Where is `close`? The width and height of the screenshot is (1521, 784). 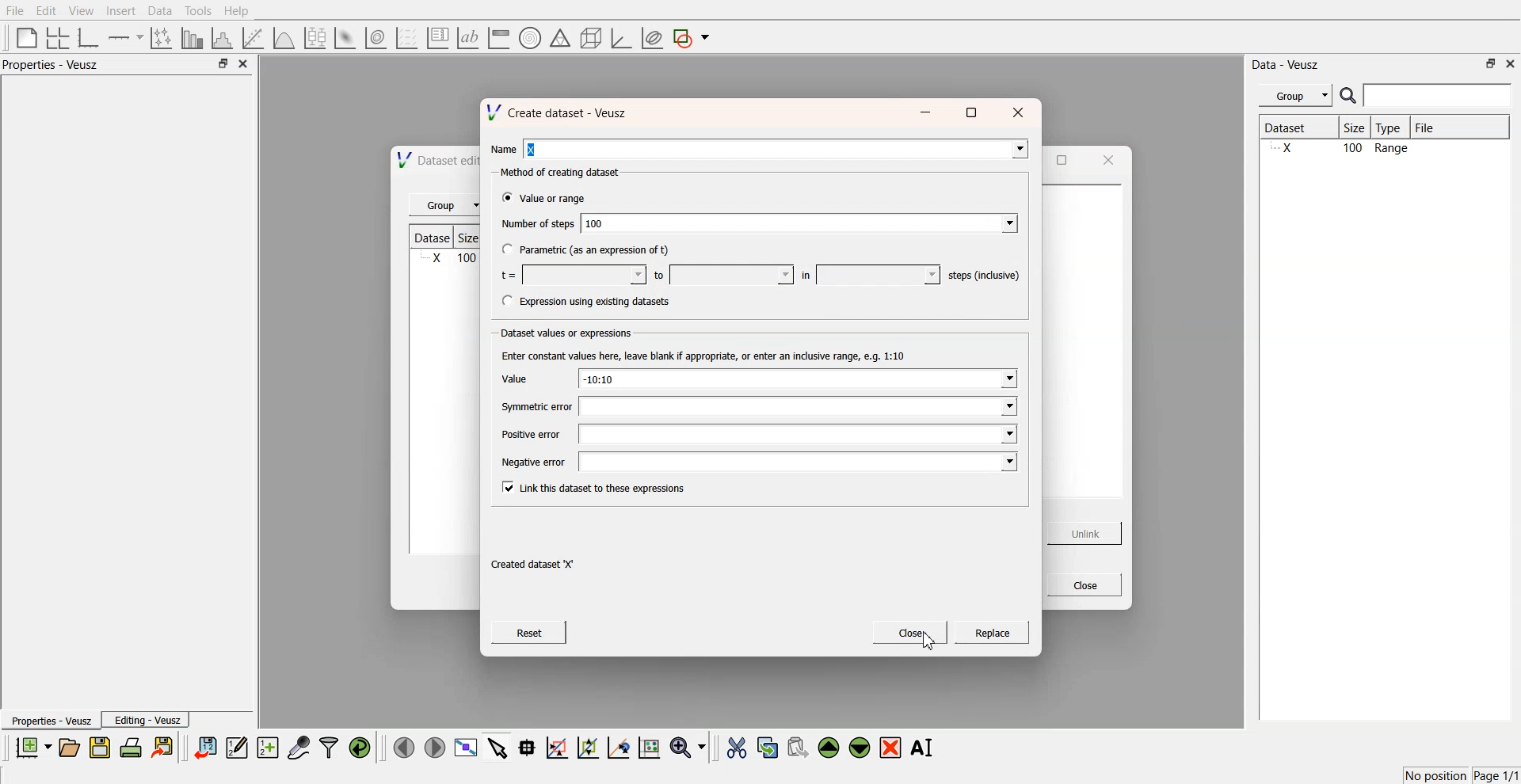 close is located at coordinates (1511, 63).